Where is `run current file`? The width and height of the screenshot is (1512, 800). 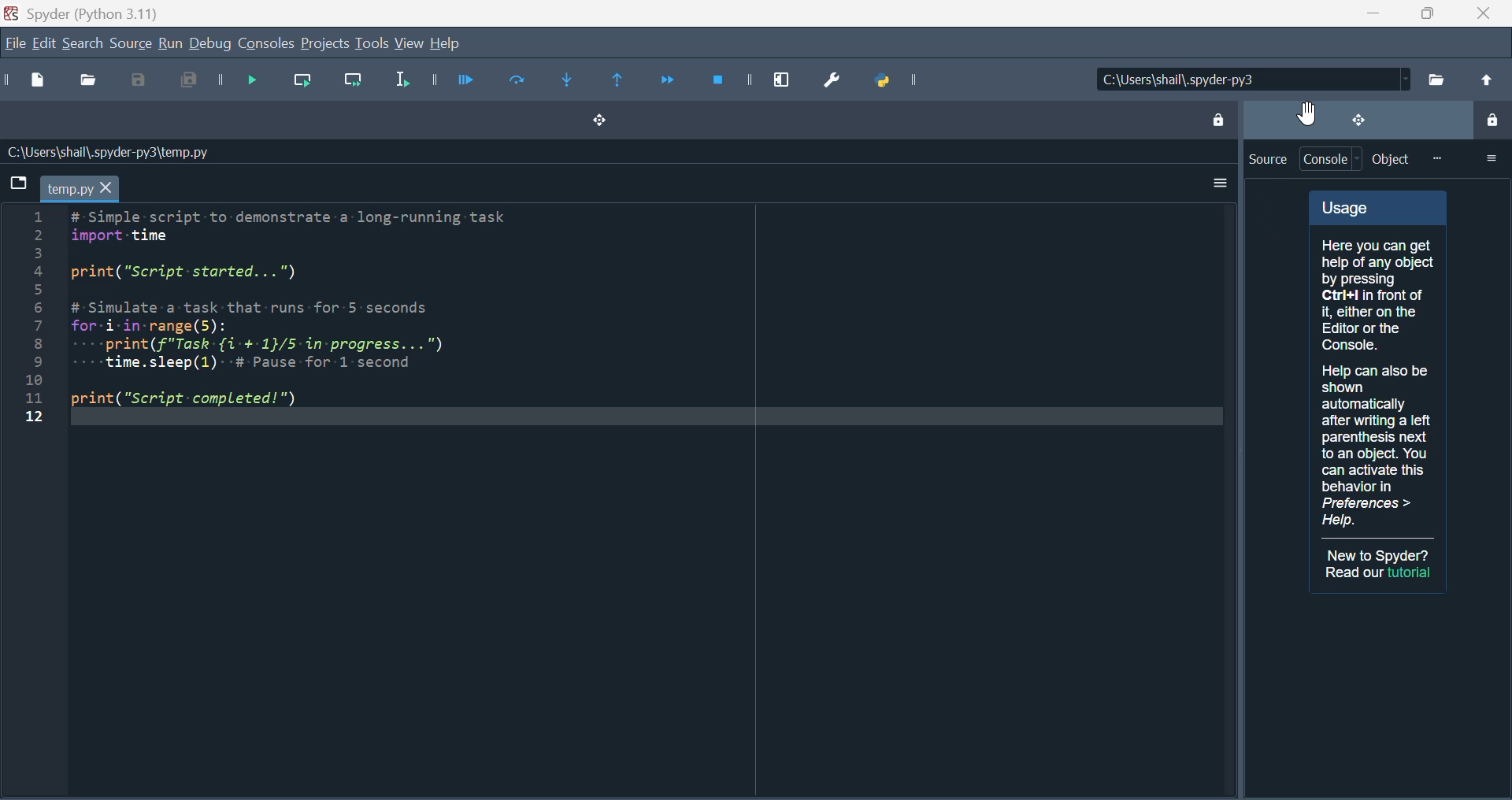
run current file is located at coordinates (518, 81).